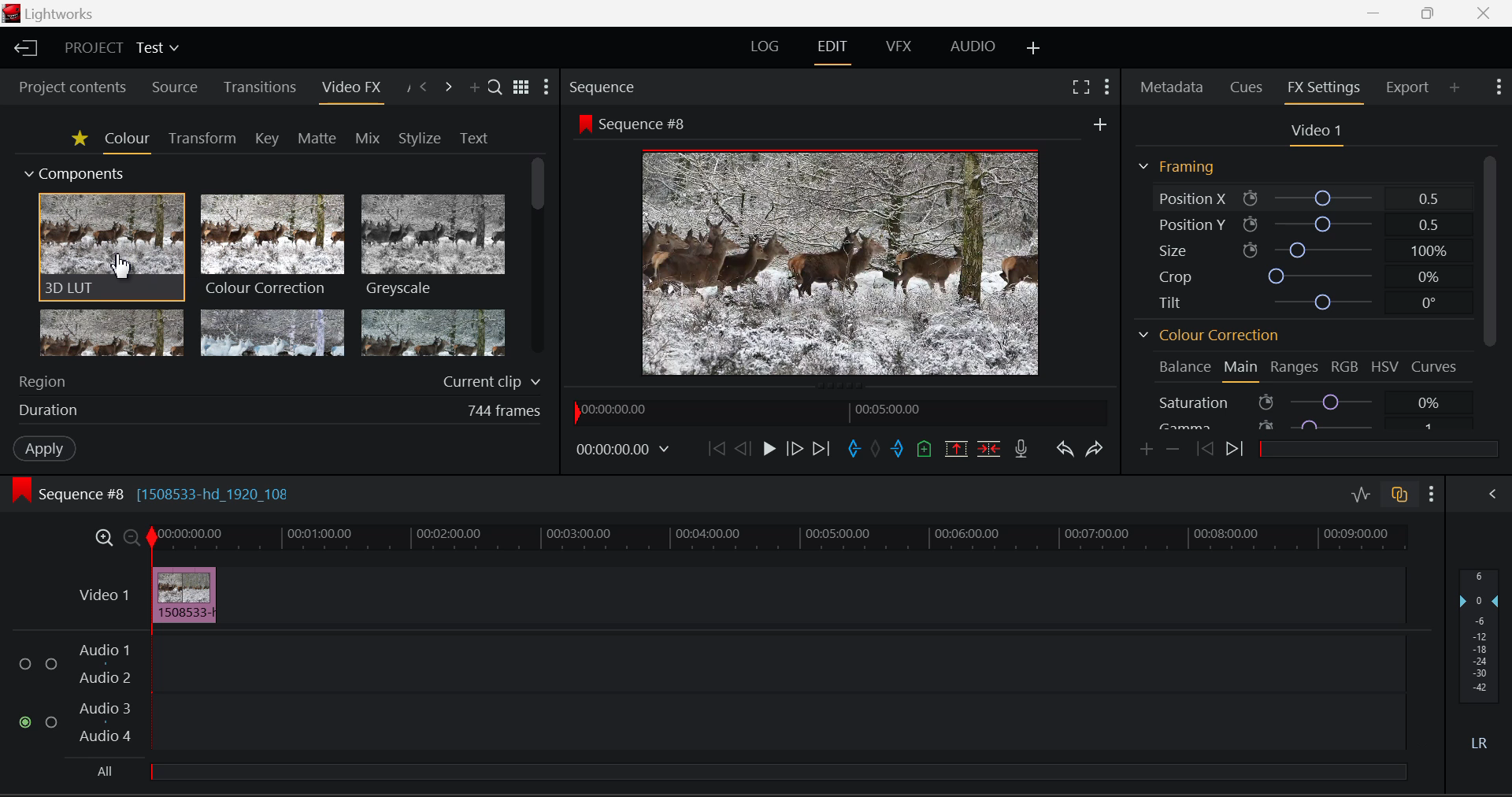  Describe the element at coordinates (474, 85) in the screenshot. I see `Add Panel` at that location.